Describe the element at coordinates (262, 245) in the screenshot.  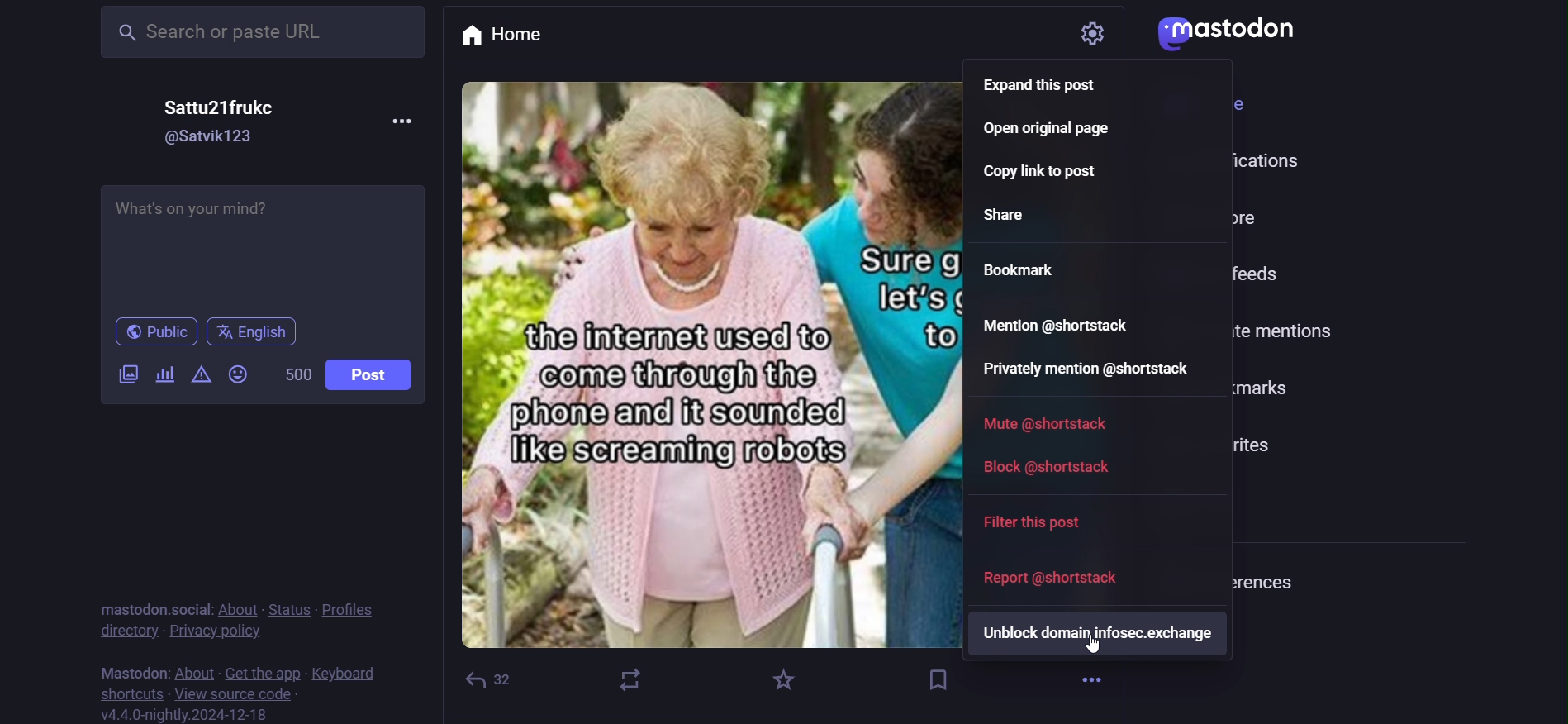
I see `post here` at that location.